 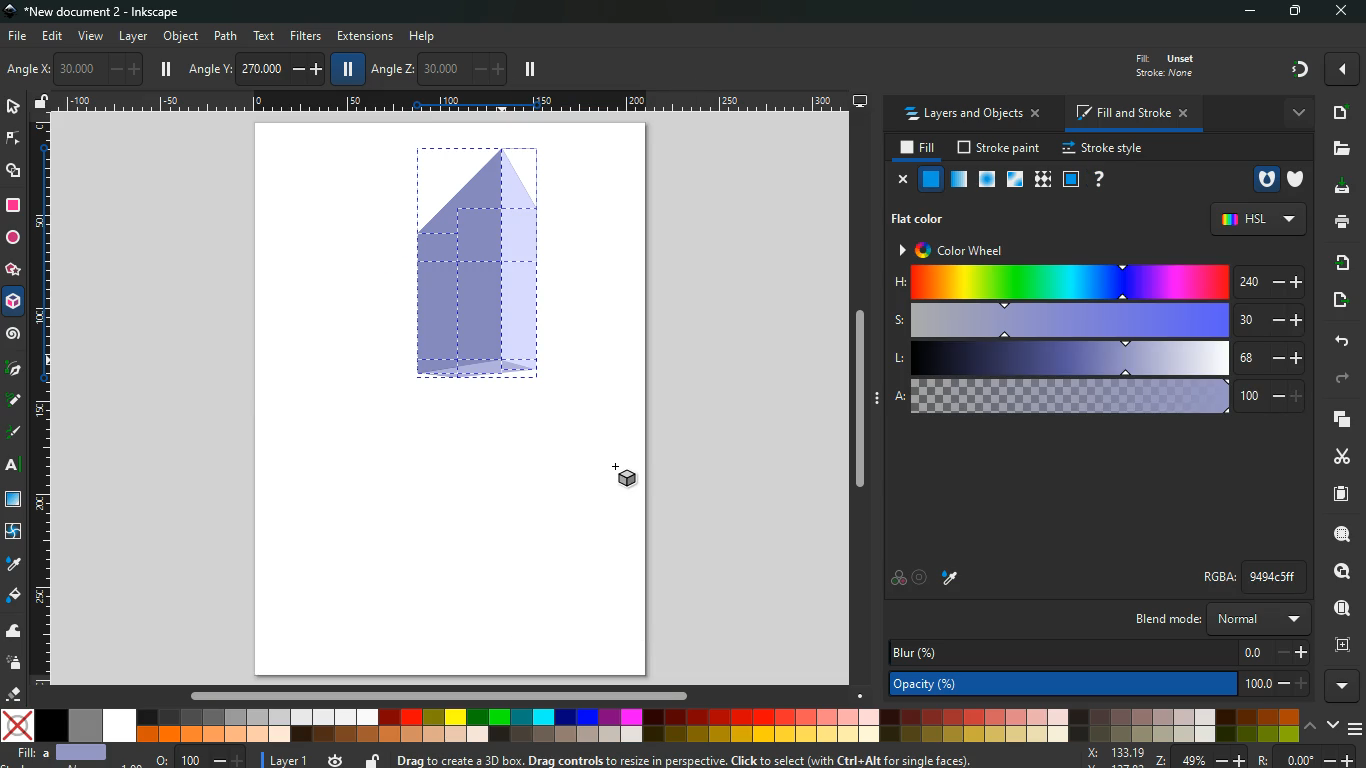 I want to click on drop, so click(x=12, y=563).